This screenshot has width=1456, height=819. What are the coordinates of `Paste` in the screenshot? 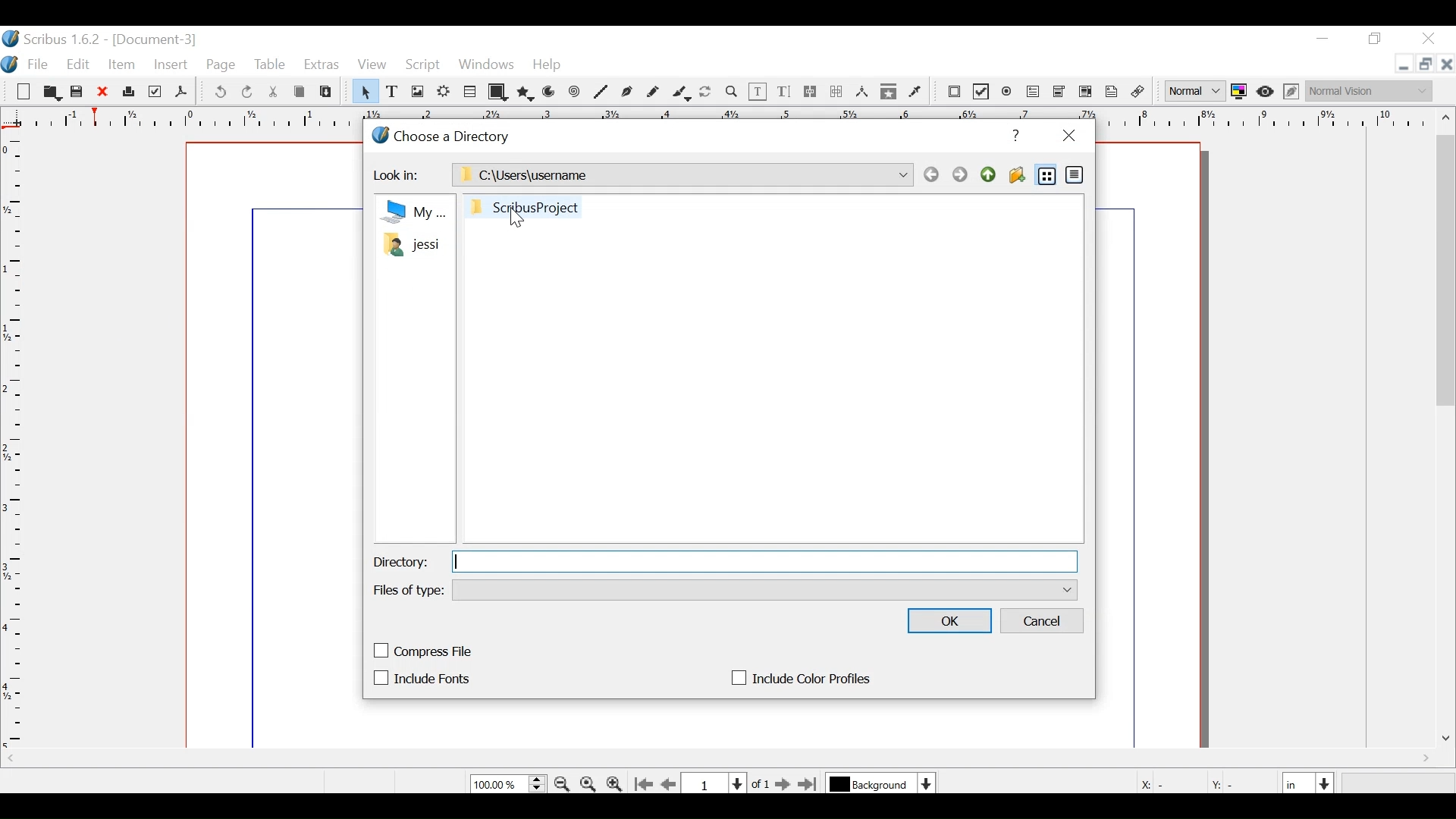 It's located at (325, 93).